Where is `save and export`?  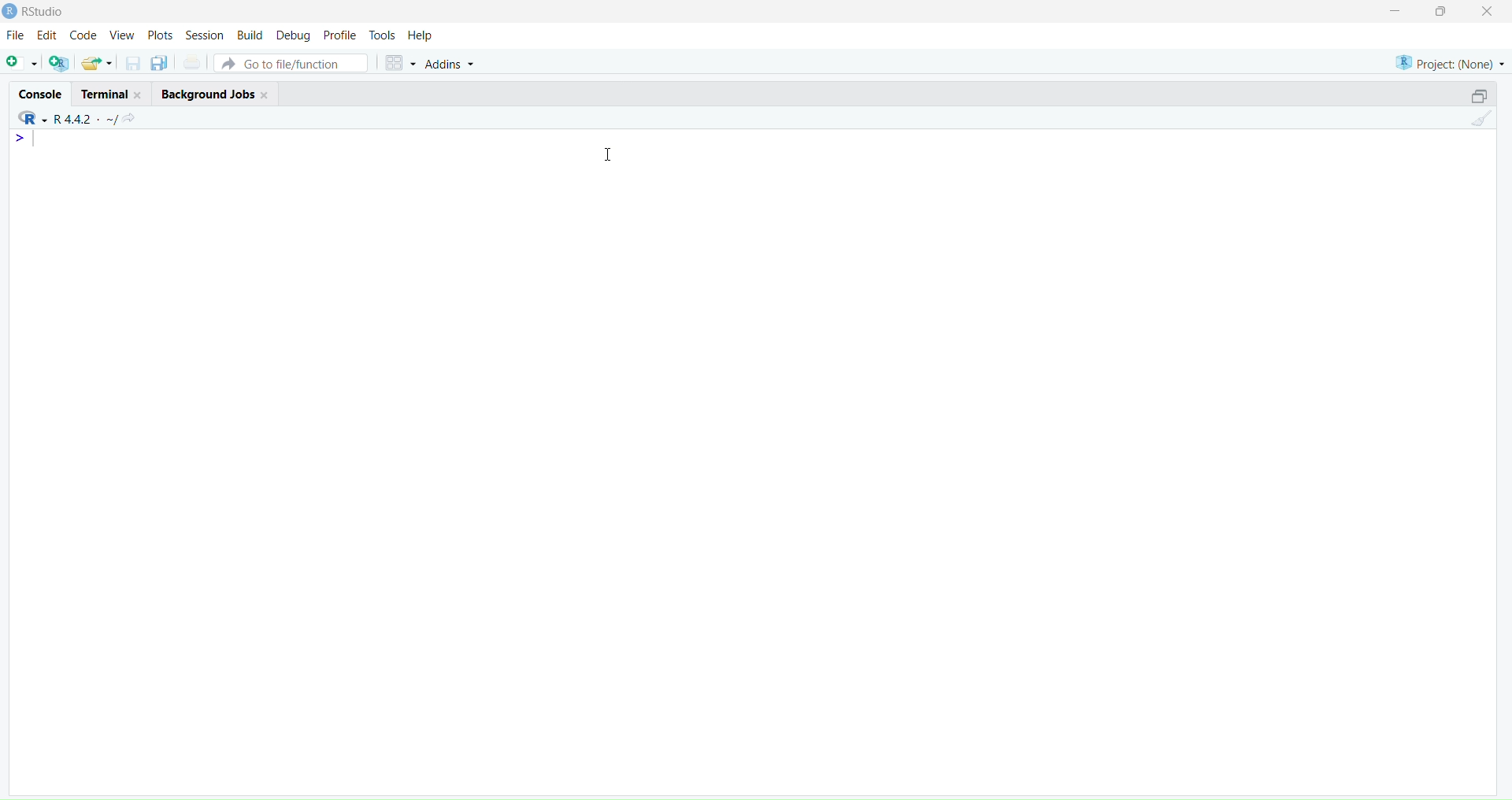
save and export is located at coordinates (96, 64).